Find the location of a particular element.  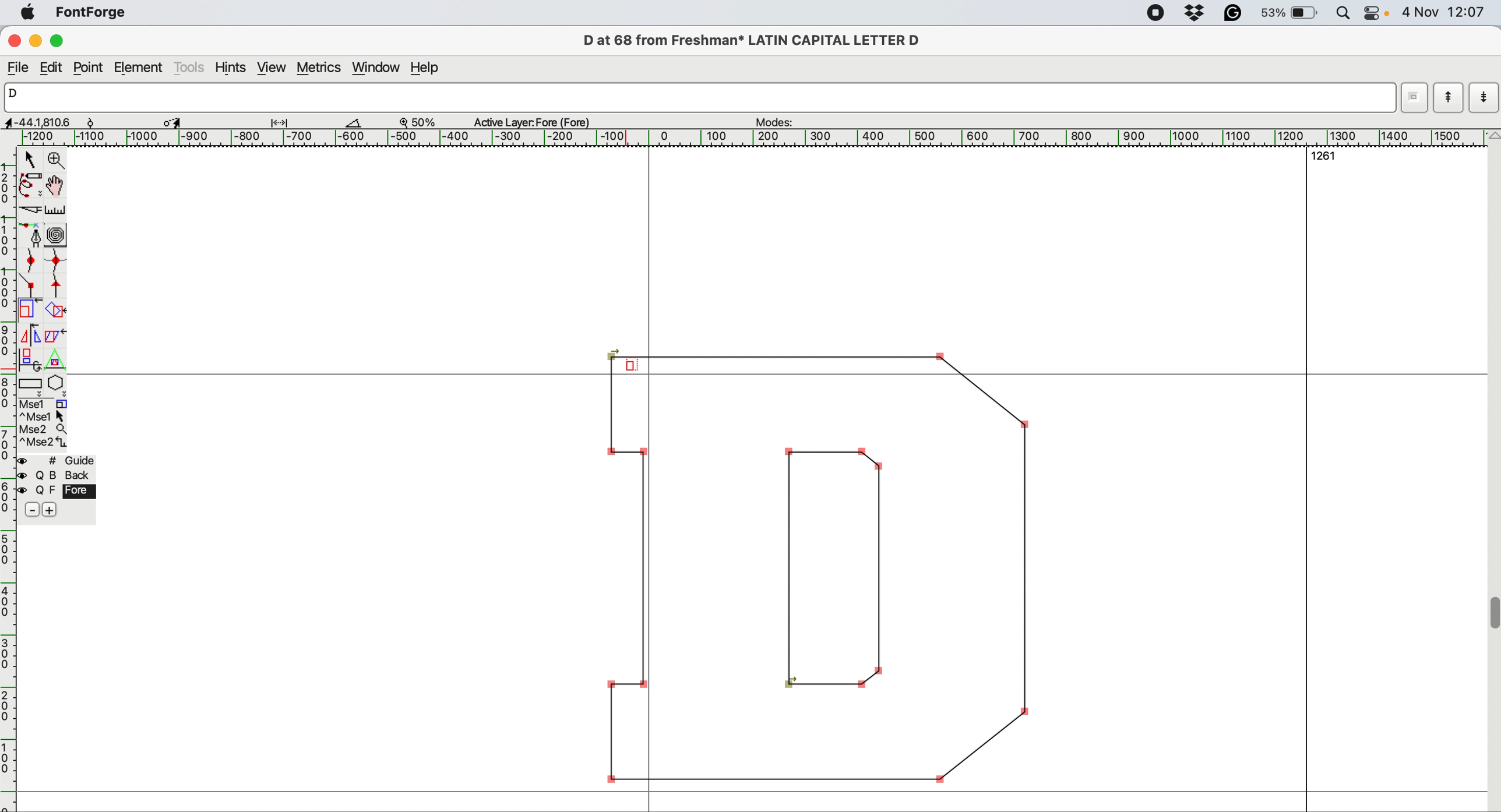

magnify is located at coordinates (56, 160).